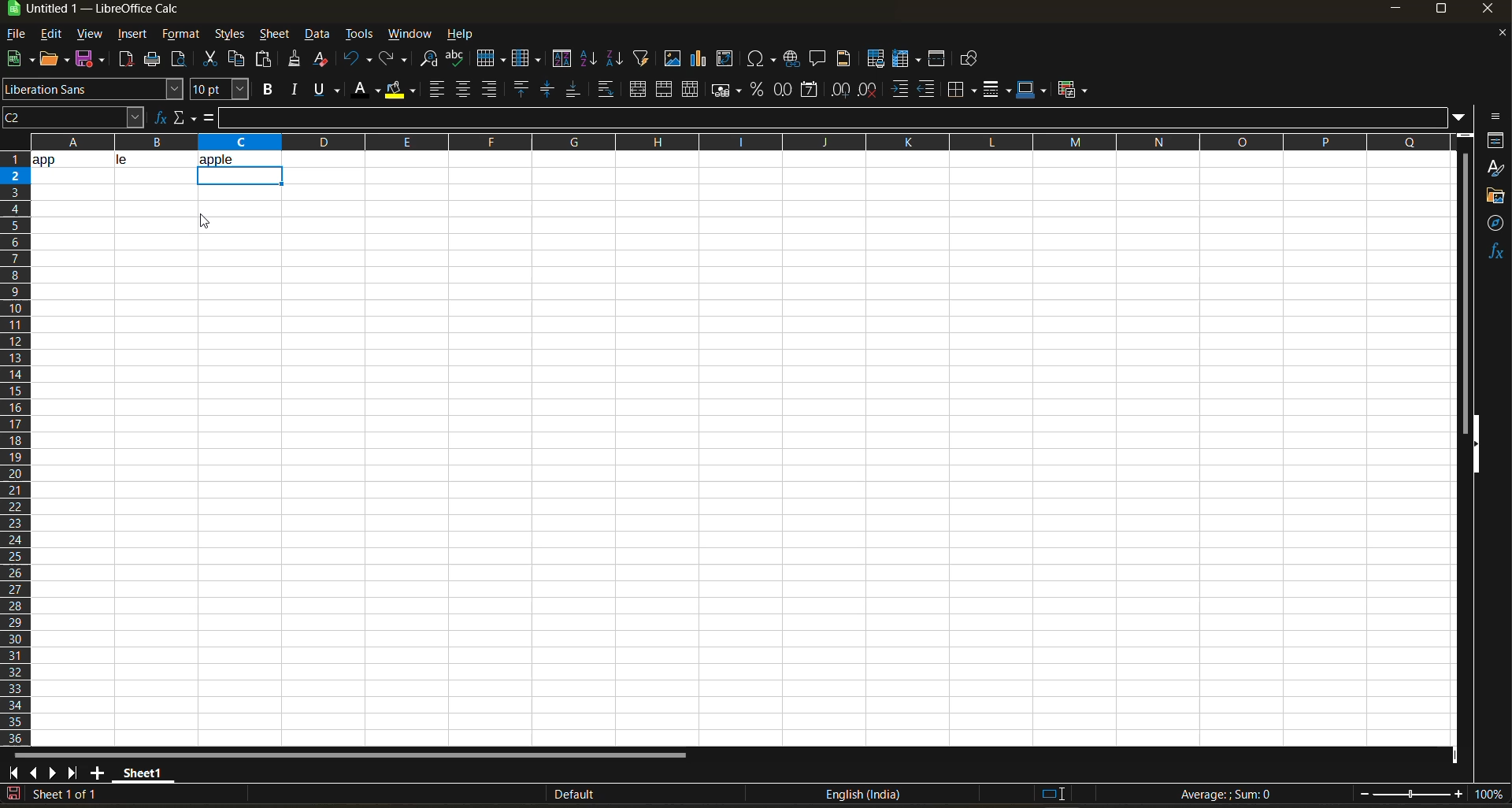  Describe the element at coordinates (180, 61) in the screenshot. I see `toggle print preview` at that location.